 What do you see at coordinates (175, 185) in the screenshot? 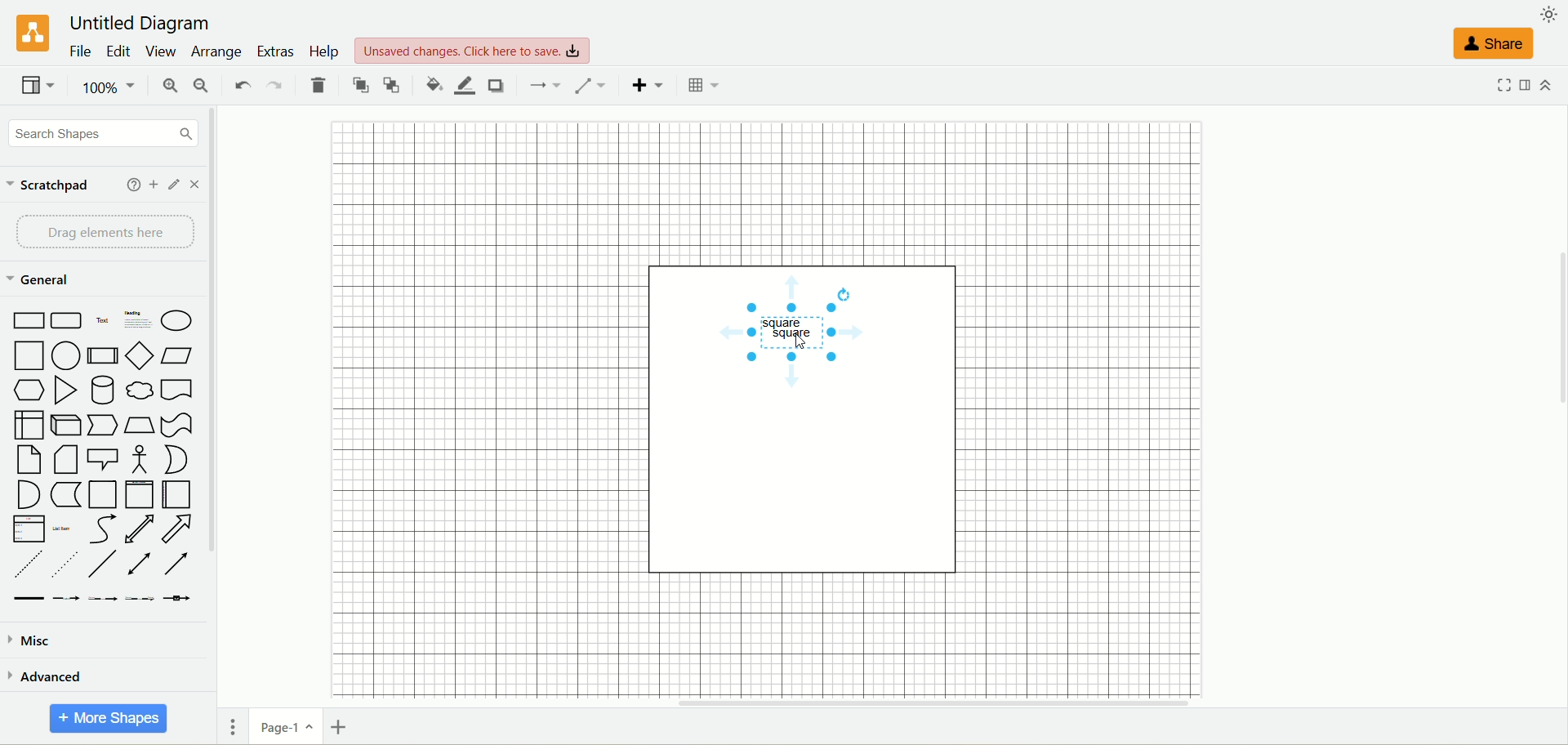
I see `edit` at bounding box center [175, 185].